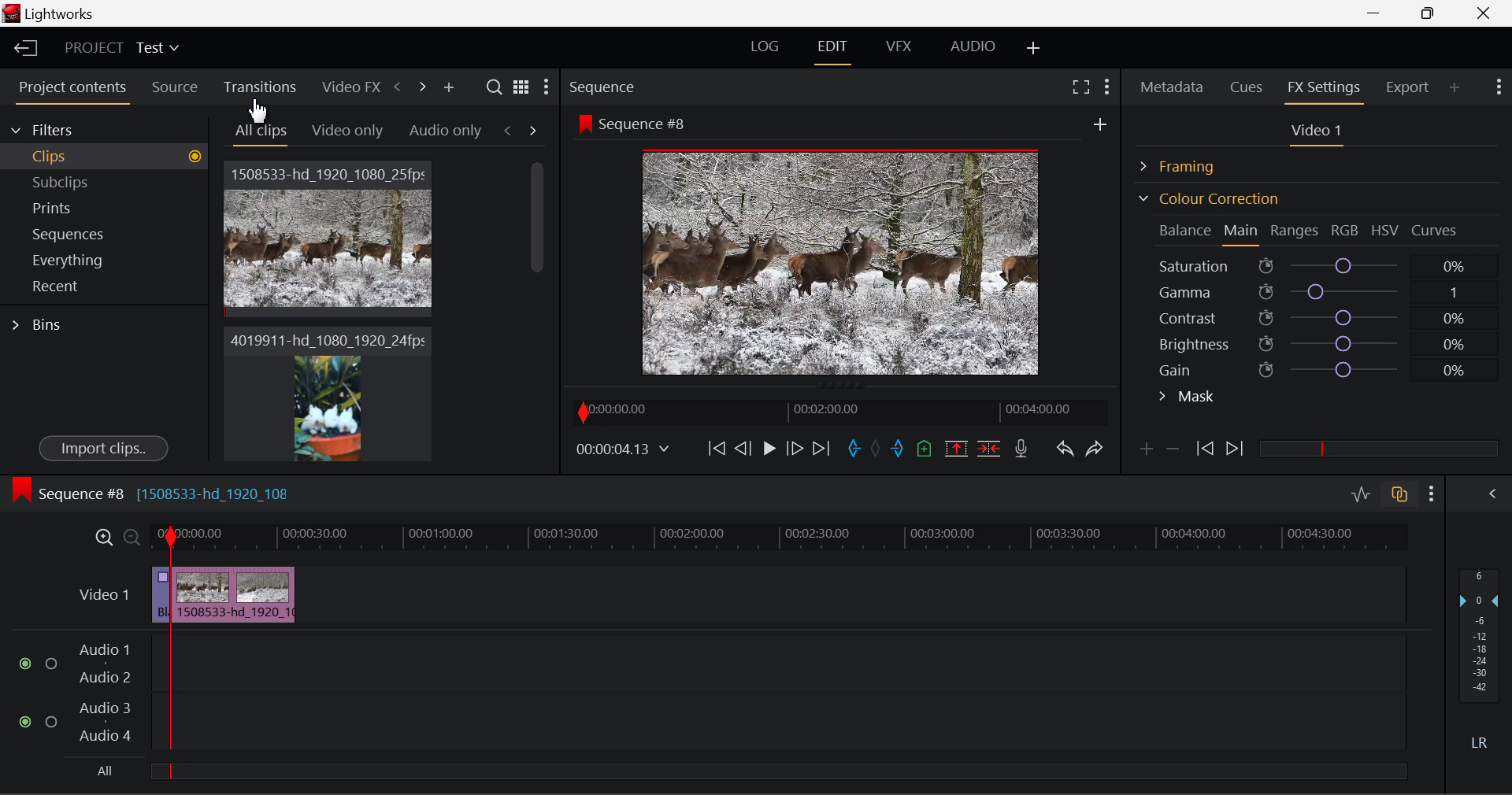 Image resolution: width=1512 pixels, height=795 pixels. I want to click on Previous Tab, so click(510, 130).